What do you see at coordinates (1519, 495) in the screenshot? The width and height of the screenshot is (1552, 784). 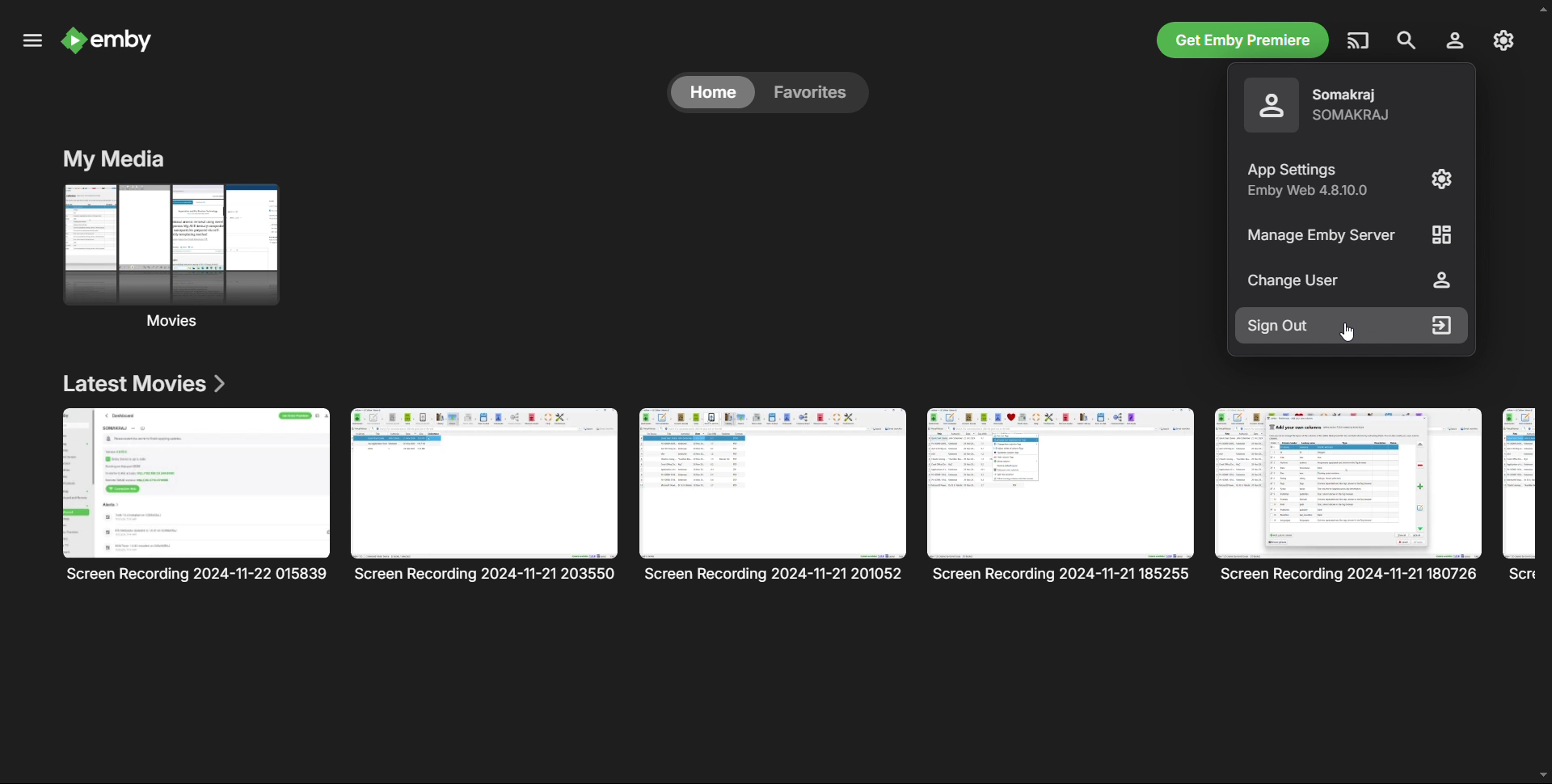 I see `Movie` at bounding box center [1519, 495].